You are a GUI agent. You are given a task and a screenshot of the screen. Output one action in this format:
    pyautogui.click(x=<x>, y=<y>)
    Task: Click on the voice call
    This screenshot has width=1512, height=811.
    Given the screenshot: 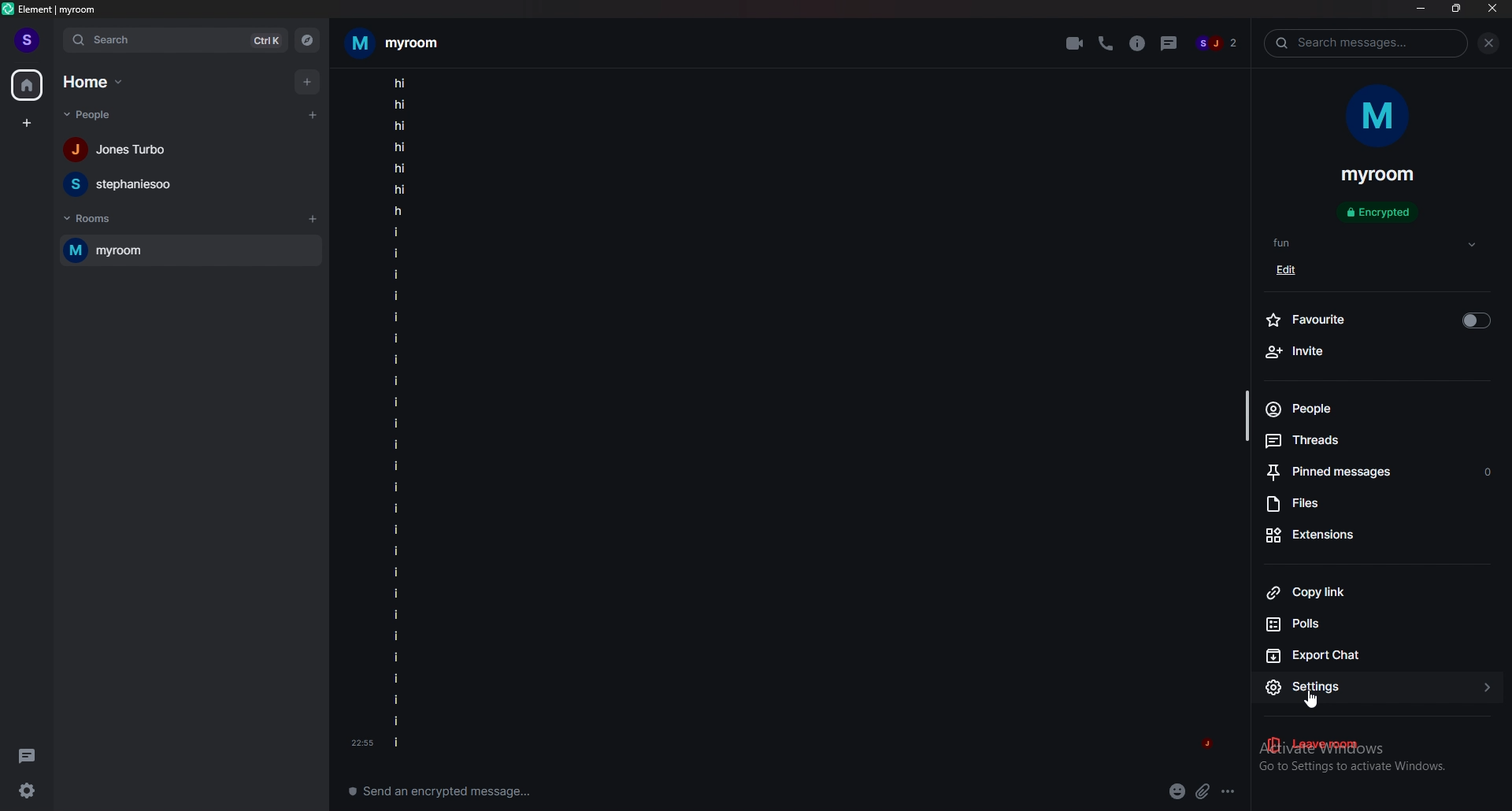 What is the action you would take?
    pyautogui.click(x=1105, y=43)
    